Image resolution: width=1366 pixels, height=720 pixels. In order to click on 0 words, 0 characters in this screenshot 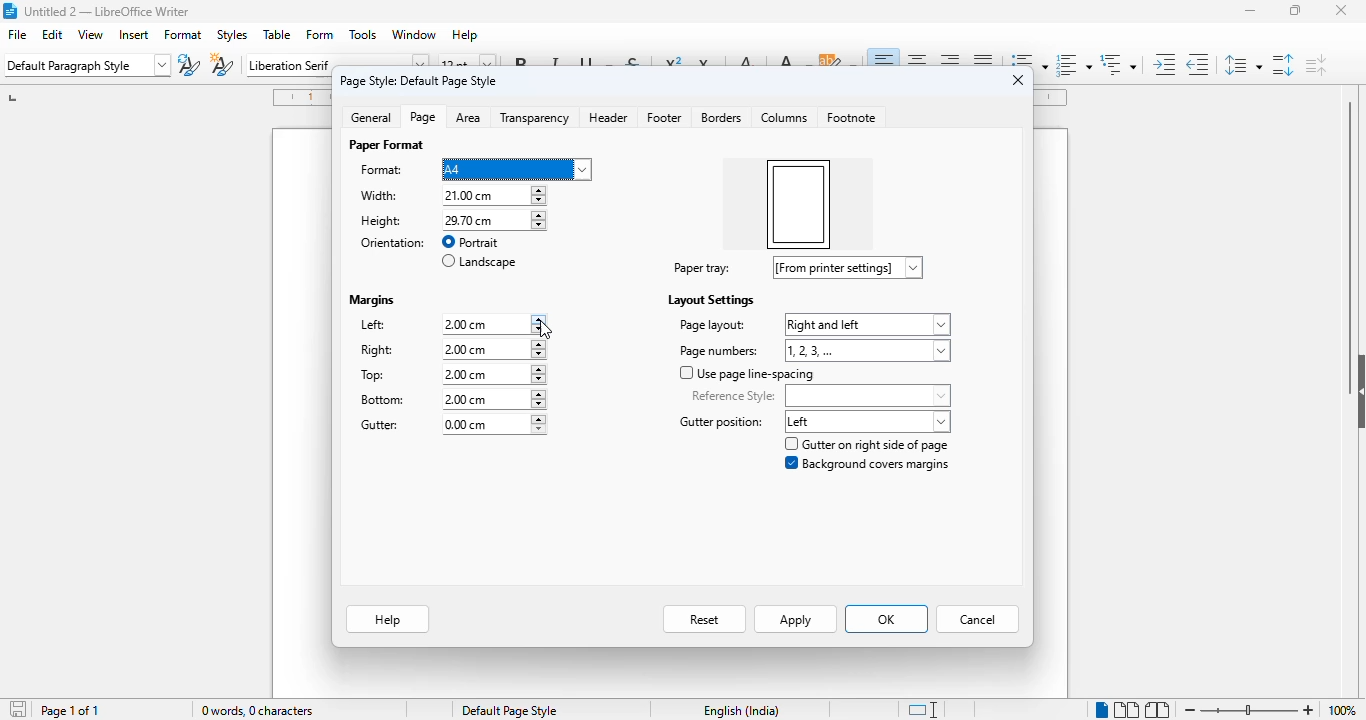, I will do `click(256, 711)`.